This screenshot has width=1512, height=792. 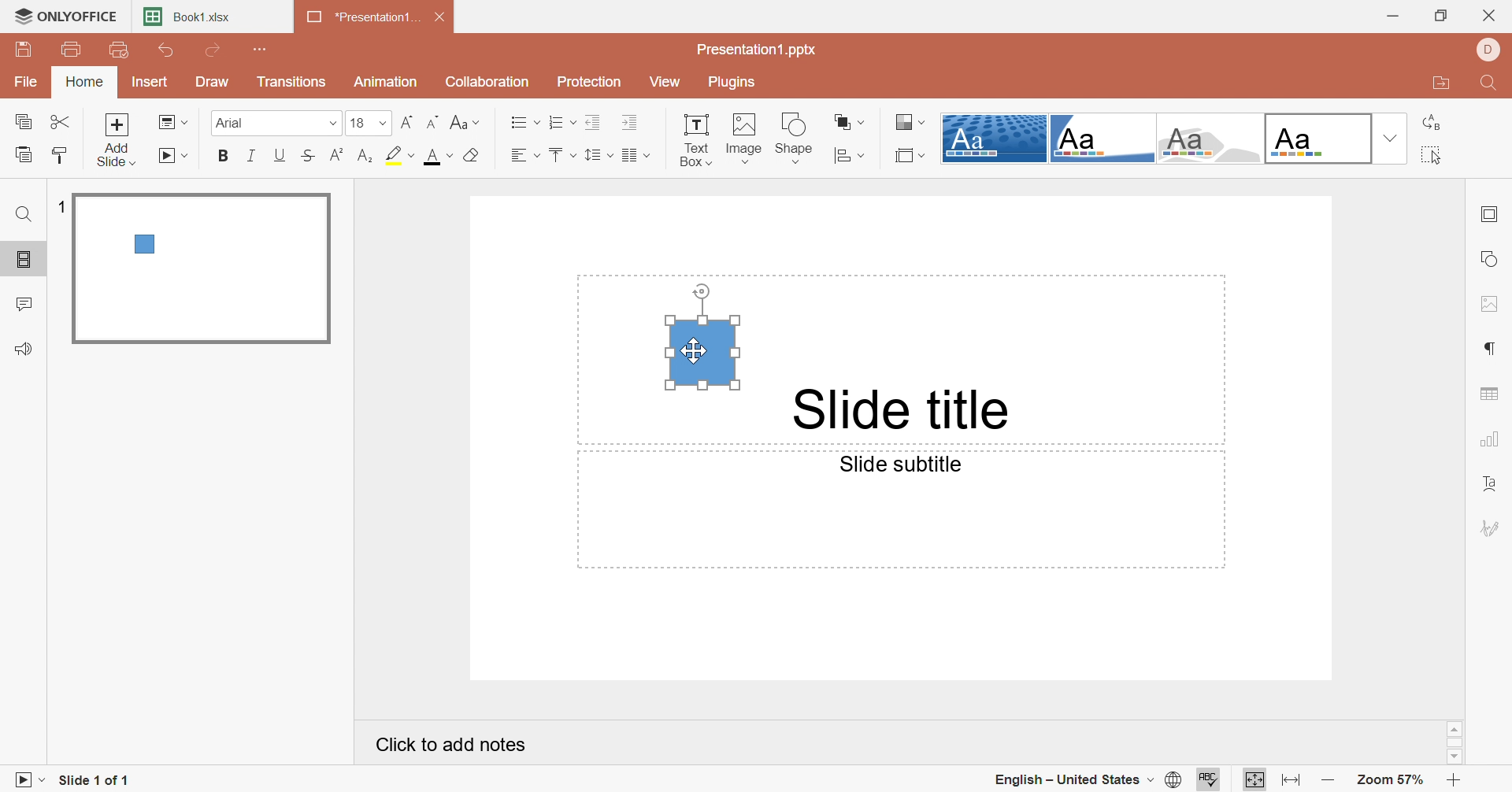 I want to click on Add slide, so click(x=121, y=140).